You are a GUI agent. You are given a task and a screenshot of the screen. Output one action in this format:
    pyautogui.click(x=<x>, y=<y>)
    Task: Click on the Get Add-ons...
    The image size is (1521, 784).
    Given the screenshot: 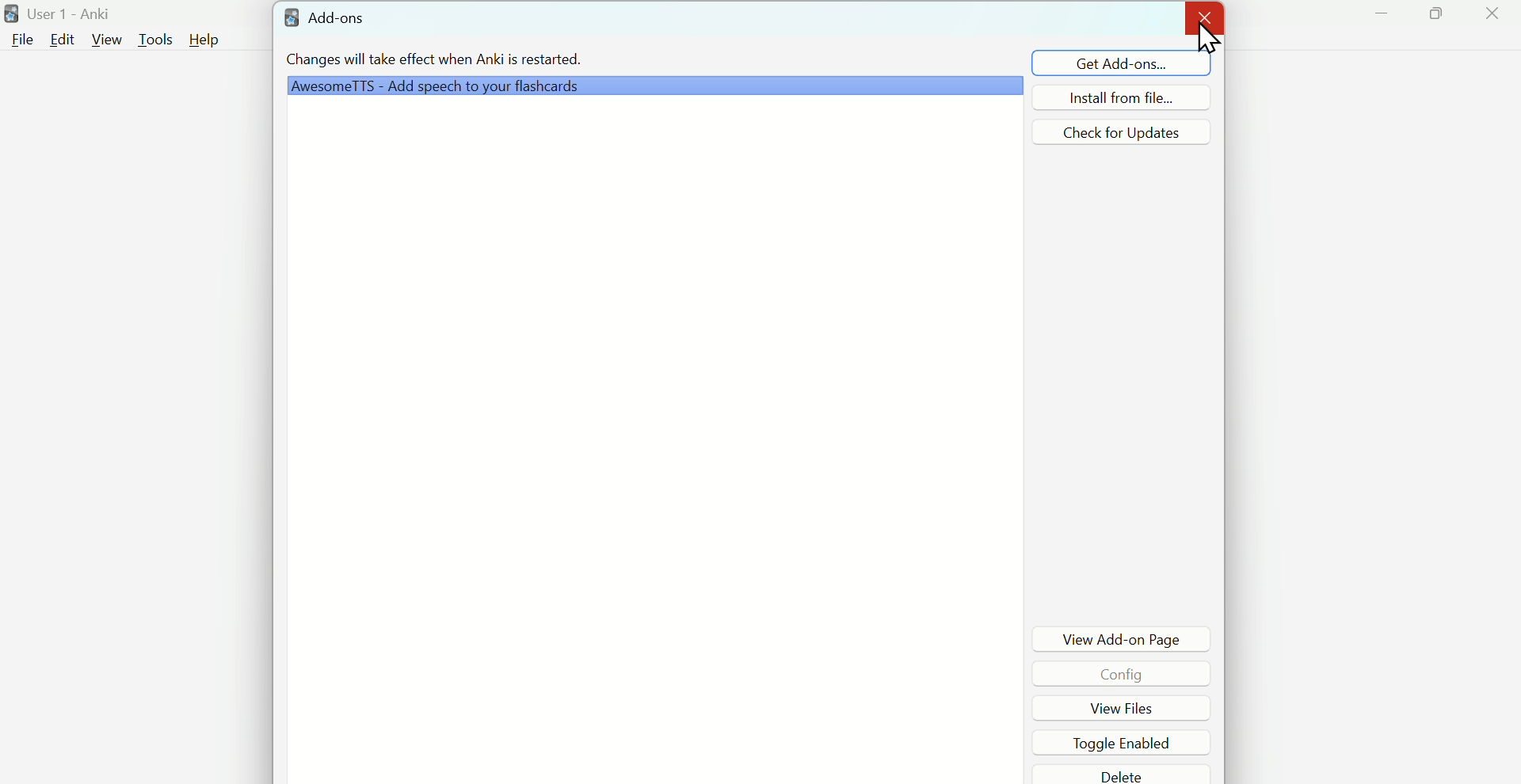 What is the action you would take?
    pyautogui.click(x=1104, y=62)
    